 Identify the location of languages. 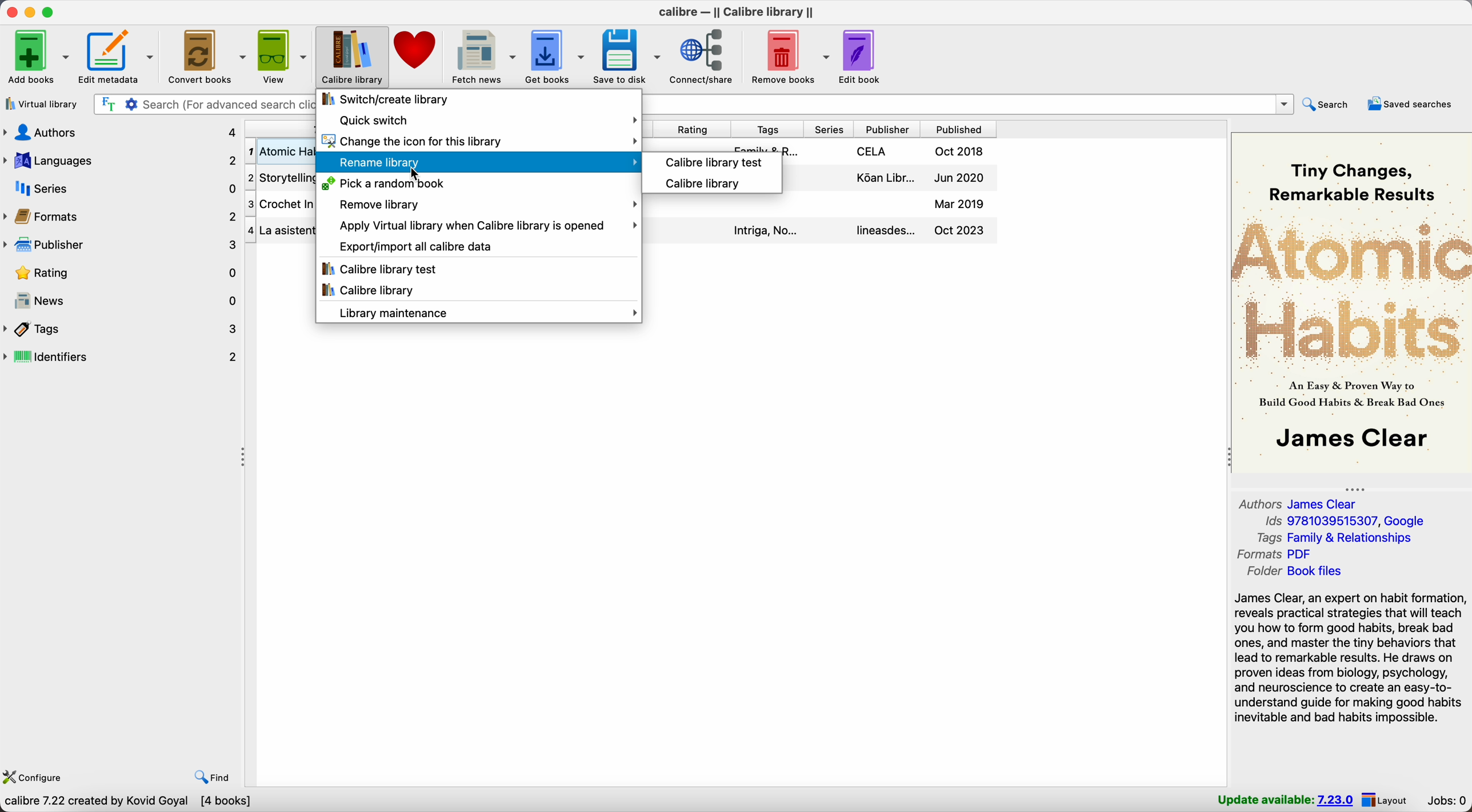
(122, 161).